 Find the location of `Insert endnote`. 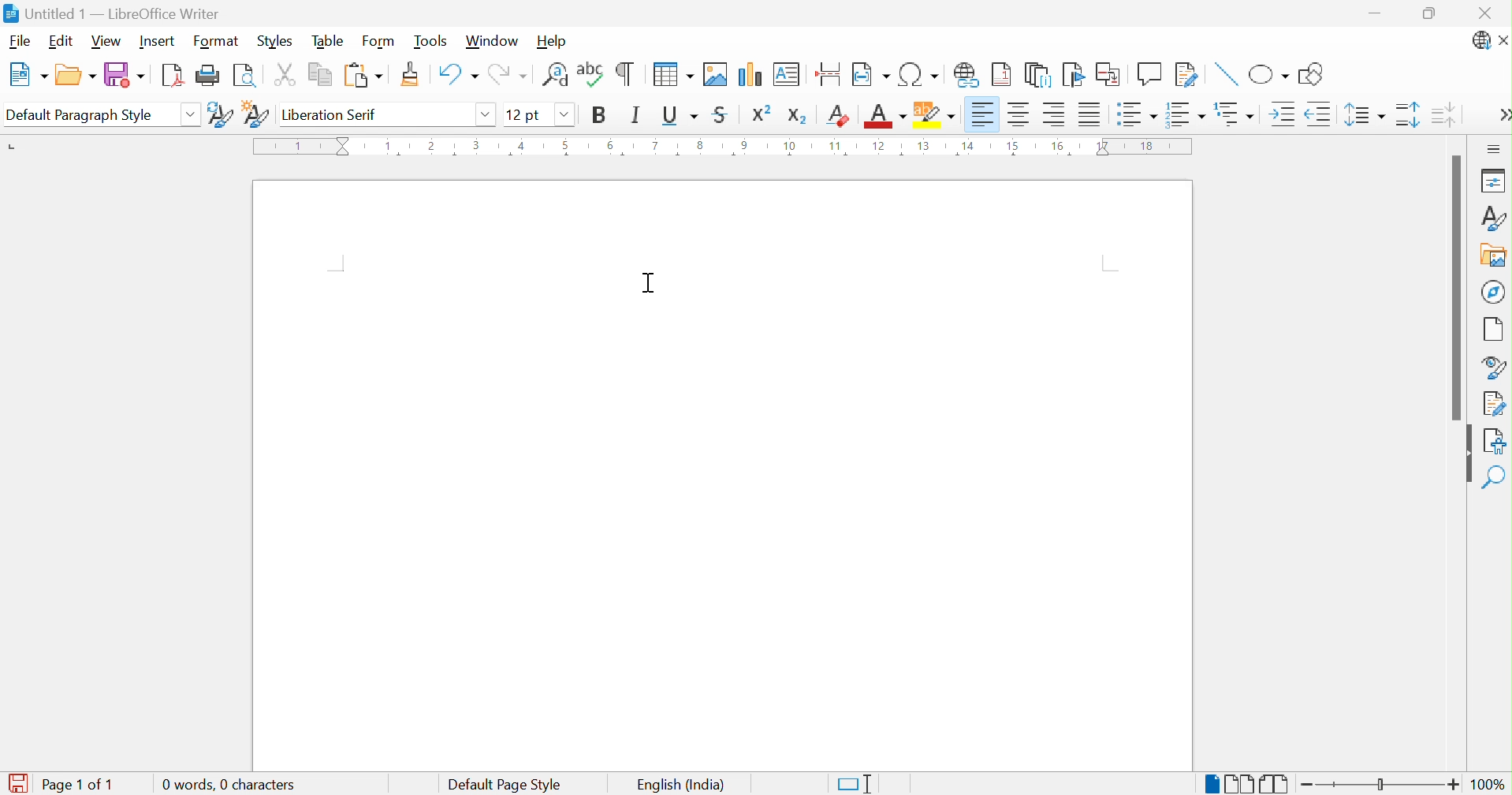

Insert endnote is located at coordinates (1041, 76).